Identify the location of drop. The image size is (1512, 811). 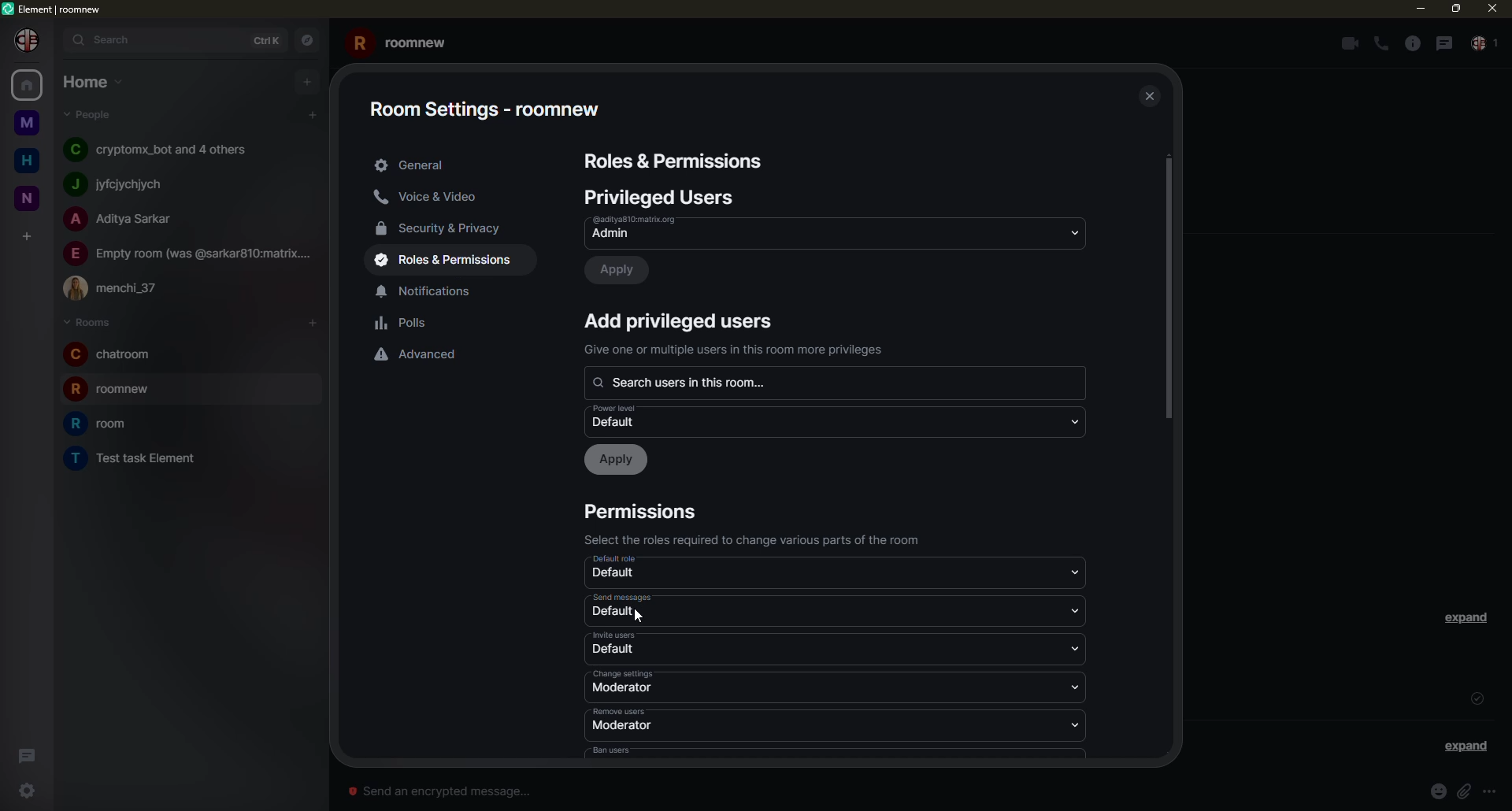
(1080, 610).